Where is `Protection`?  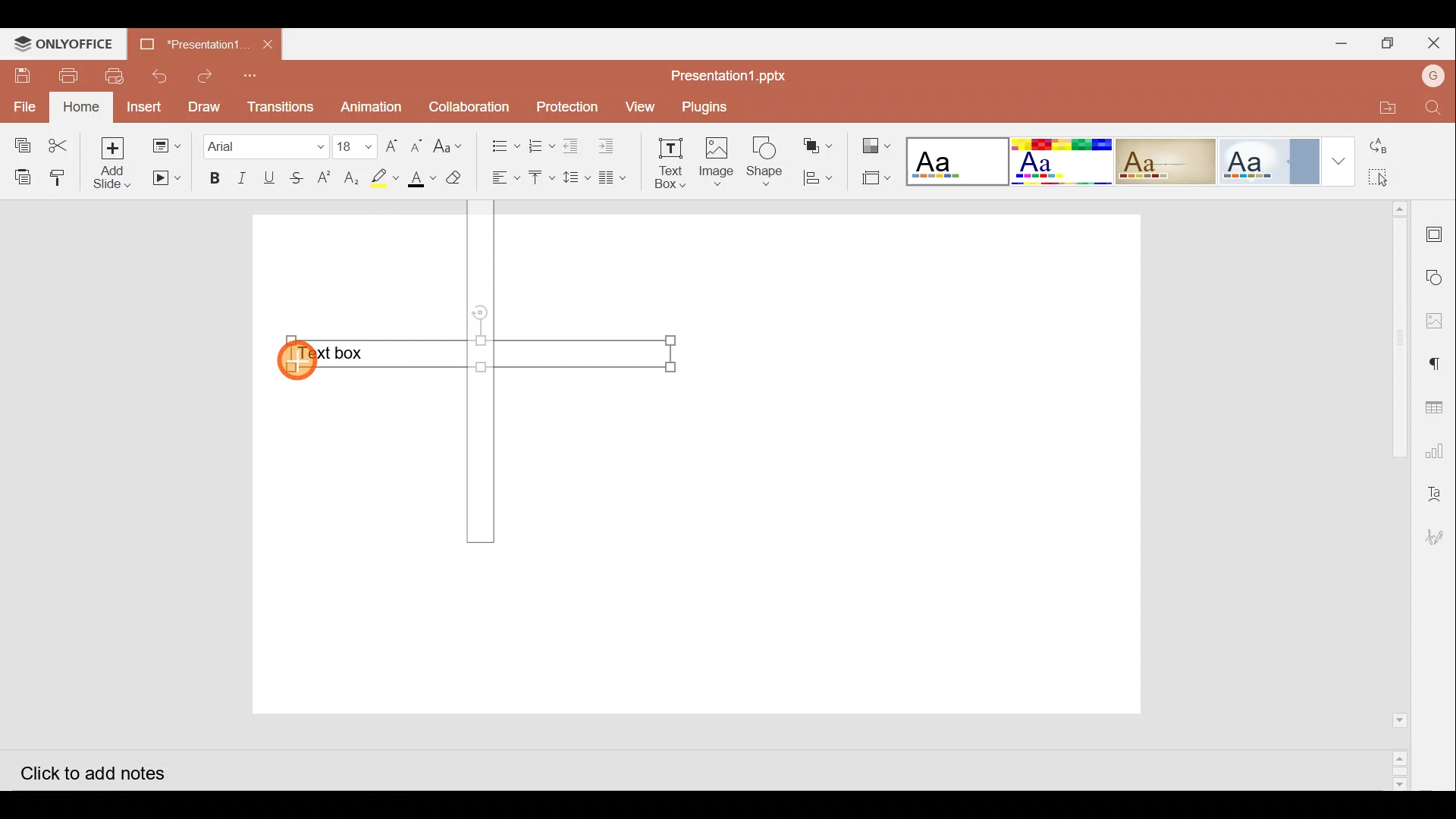 Protection is located at coordinates (566, 108).